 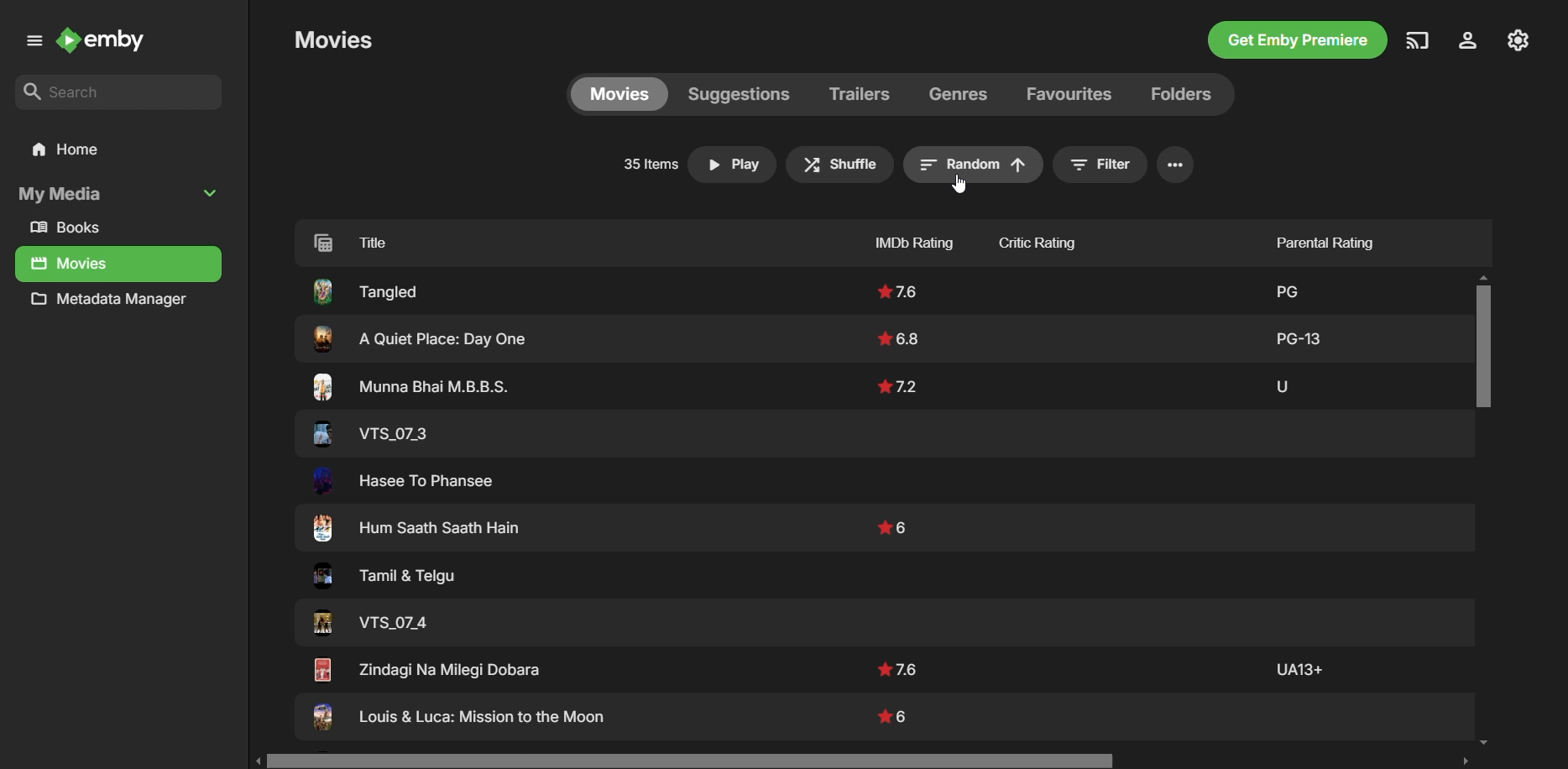 What do you see at coordinates (1281, 384) in the screenshot?
I see `` at bounding box center [1281, 384].